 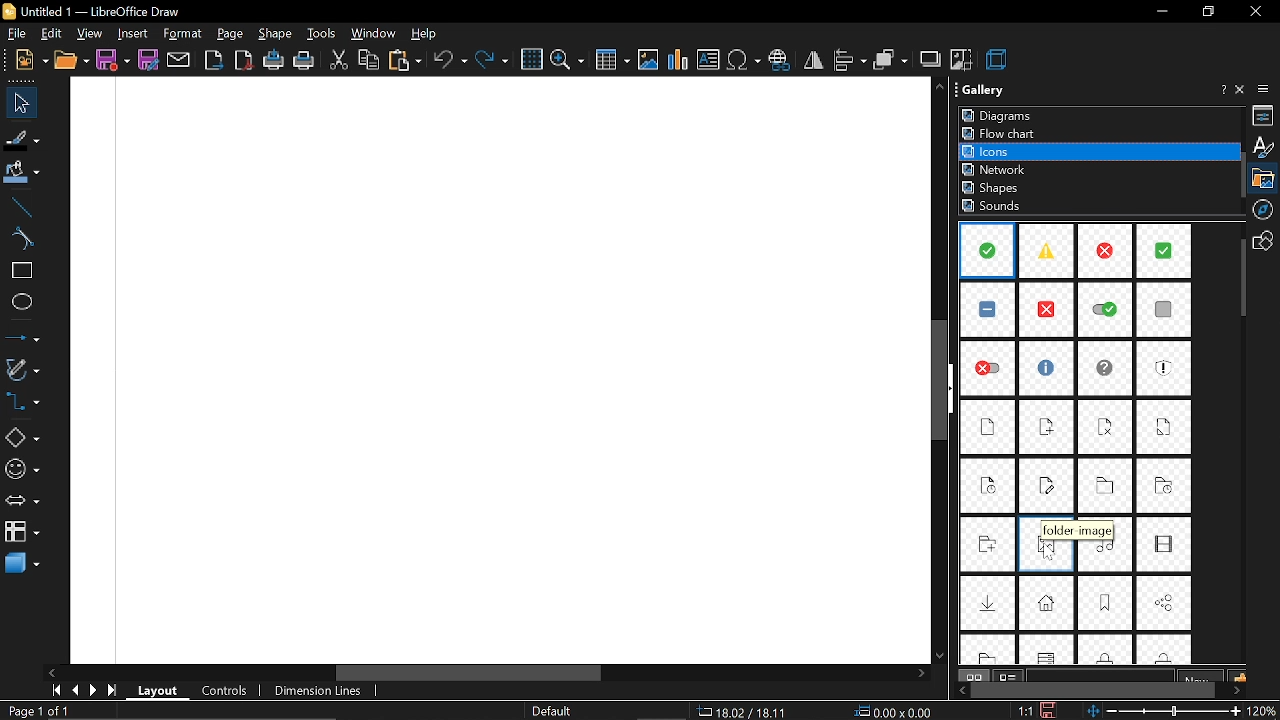 I want to click on diagrams, so click(x=1000, y=116).